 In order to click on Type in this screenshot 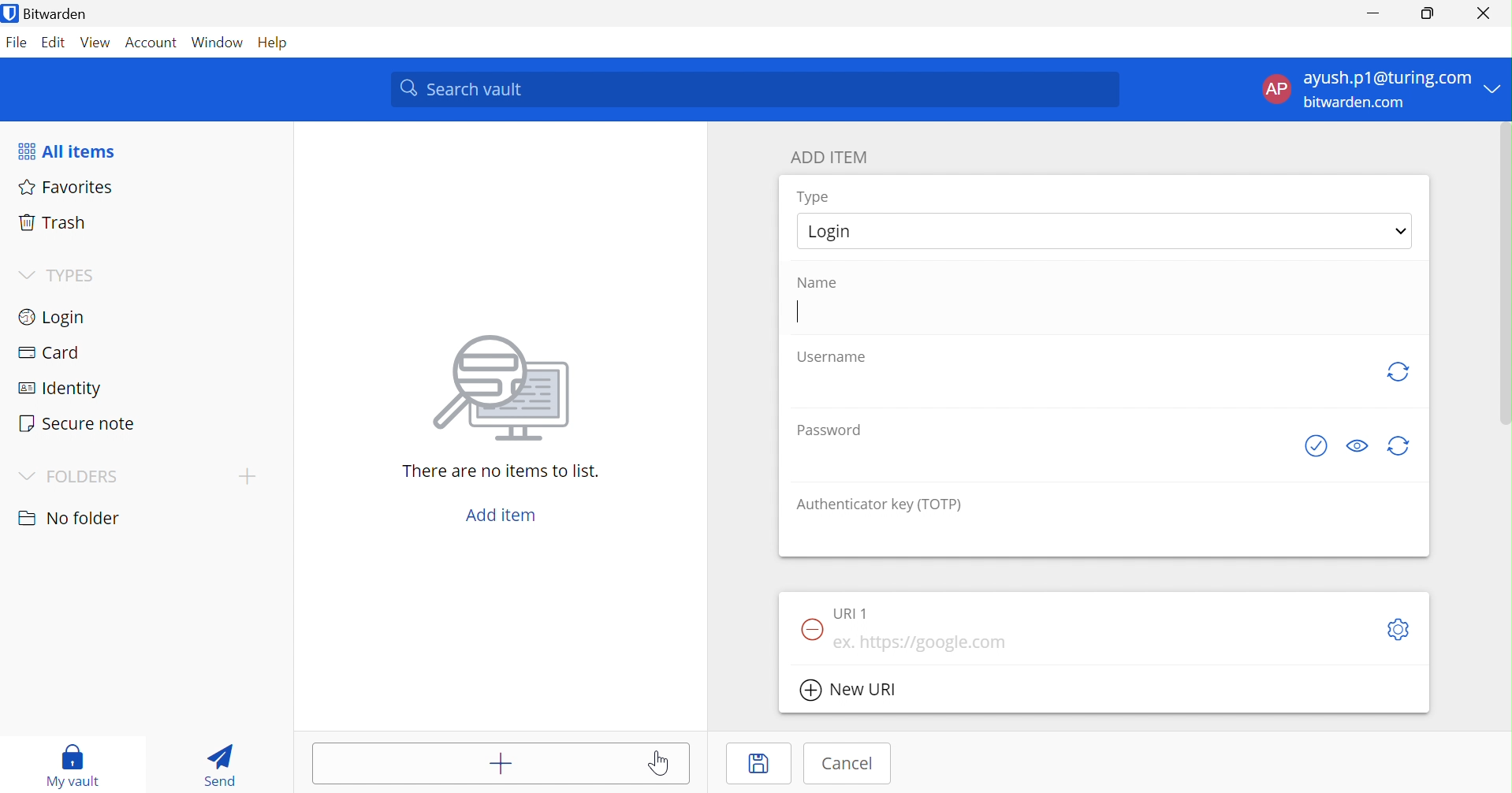, I will do `click(815, 197)`.